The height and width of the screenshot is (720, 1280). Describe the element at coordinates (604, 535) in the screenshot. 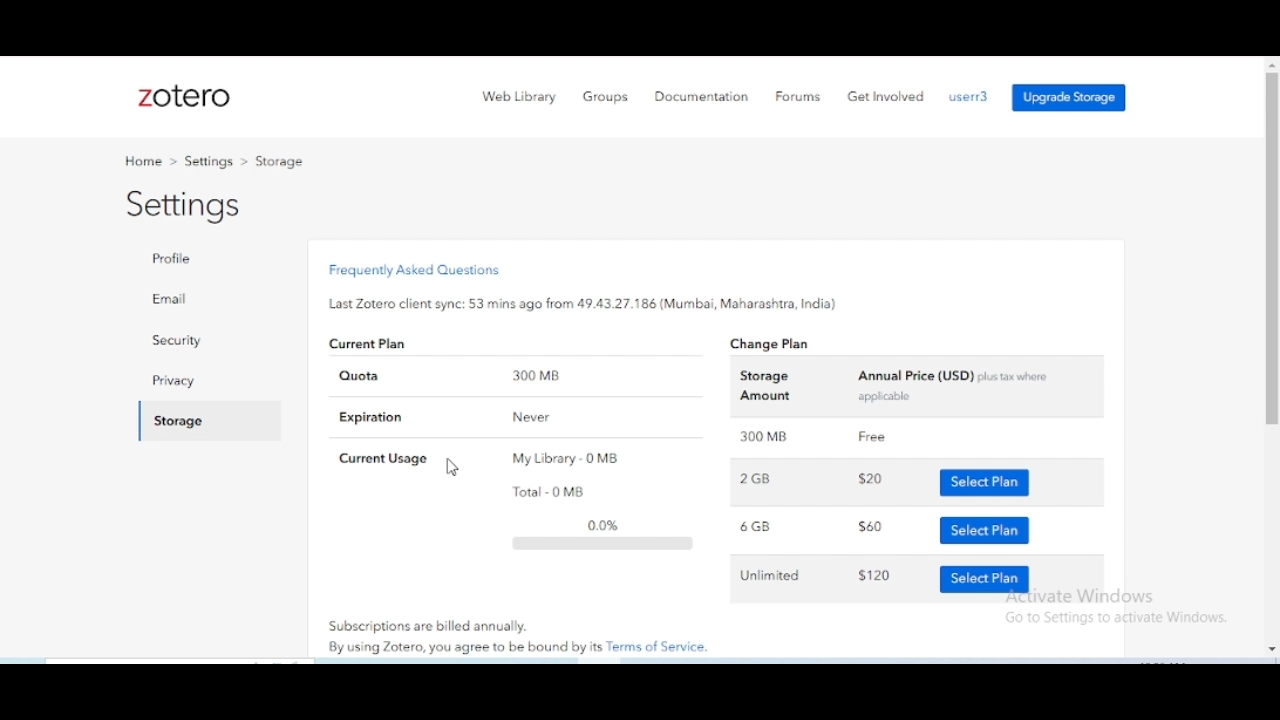

I see `0.0%` at that location.